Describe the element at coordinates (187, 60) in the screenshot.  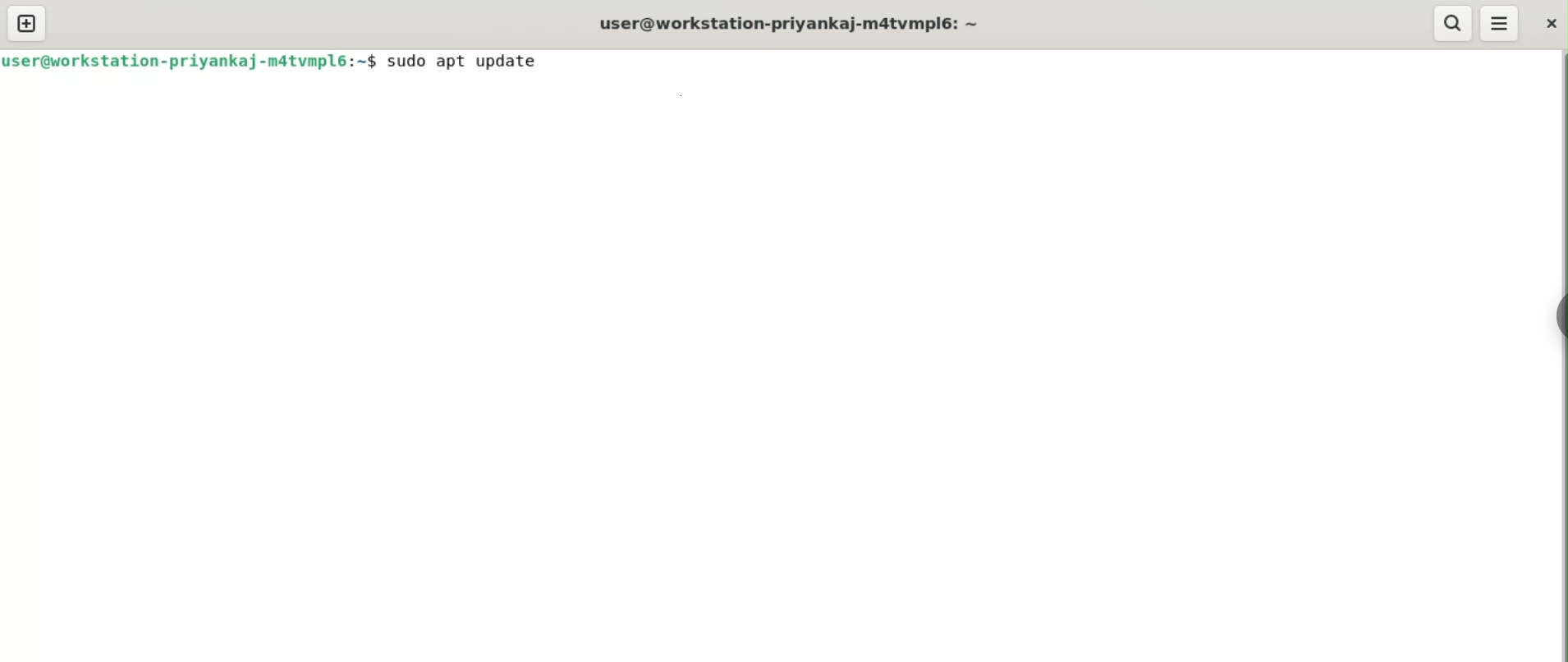
I see `user@workstation-priyankaj-m4tvmpl6:-$` at that location.